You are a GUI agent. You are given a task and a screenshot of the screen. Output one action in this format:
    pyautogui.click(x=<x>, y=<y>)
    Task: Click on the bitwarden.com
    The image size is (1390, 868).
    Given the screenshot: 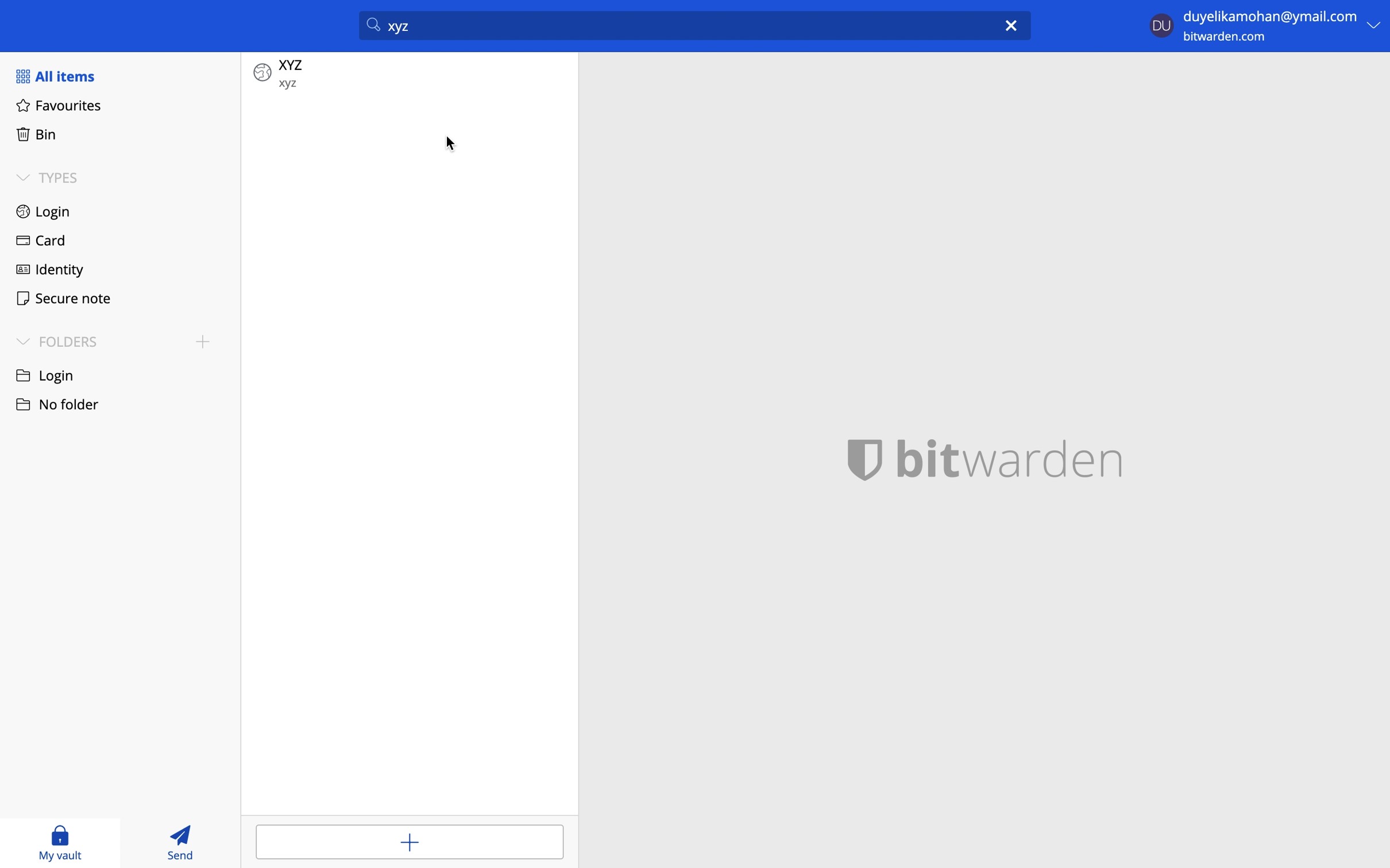 What is the action you would take?
    pyautogui.click(x=1231, y=40)
    